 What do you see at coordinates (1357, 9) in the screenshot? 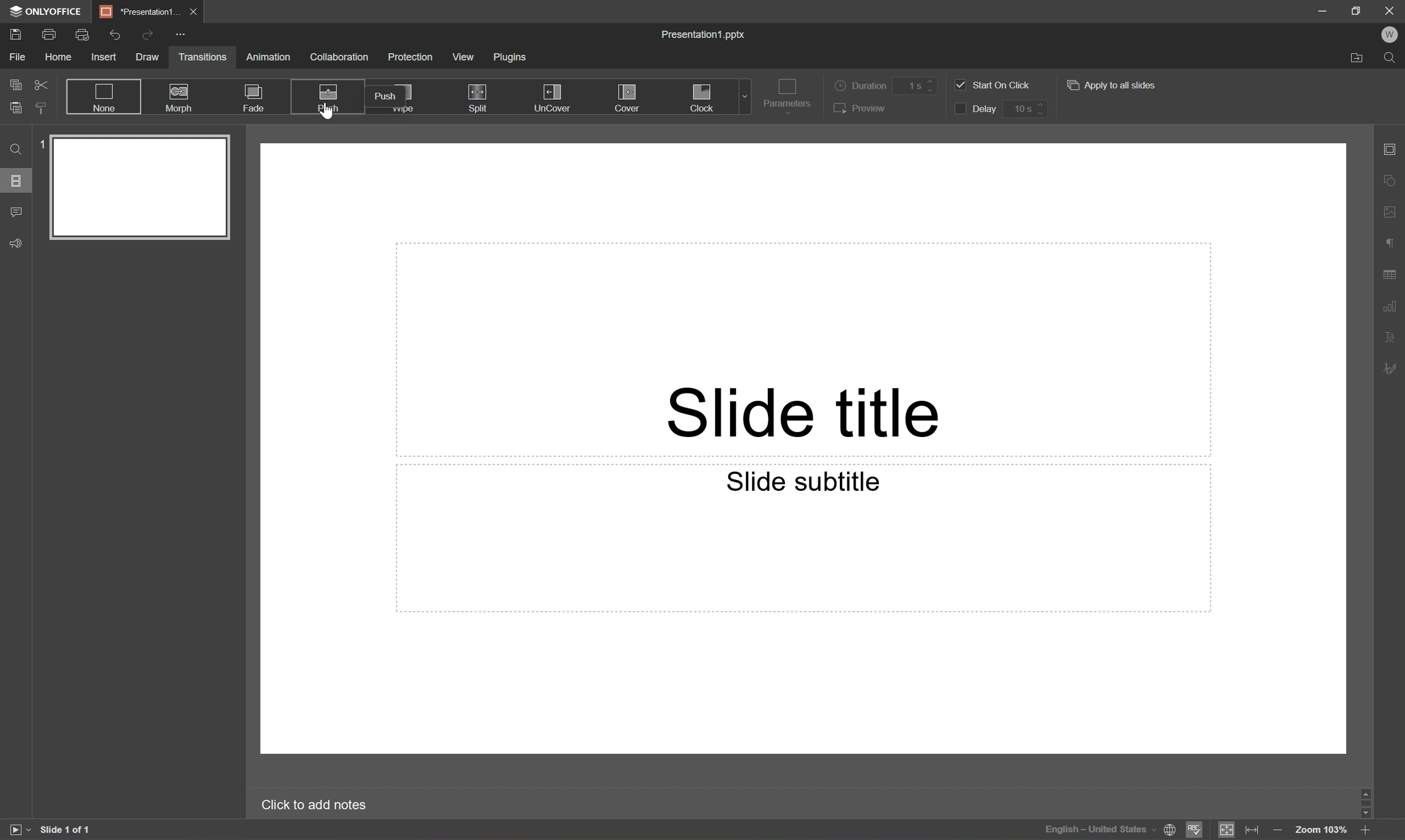
I see `Restore Down` at bounding box center [1357, 9].